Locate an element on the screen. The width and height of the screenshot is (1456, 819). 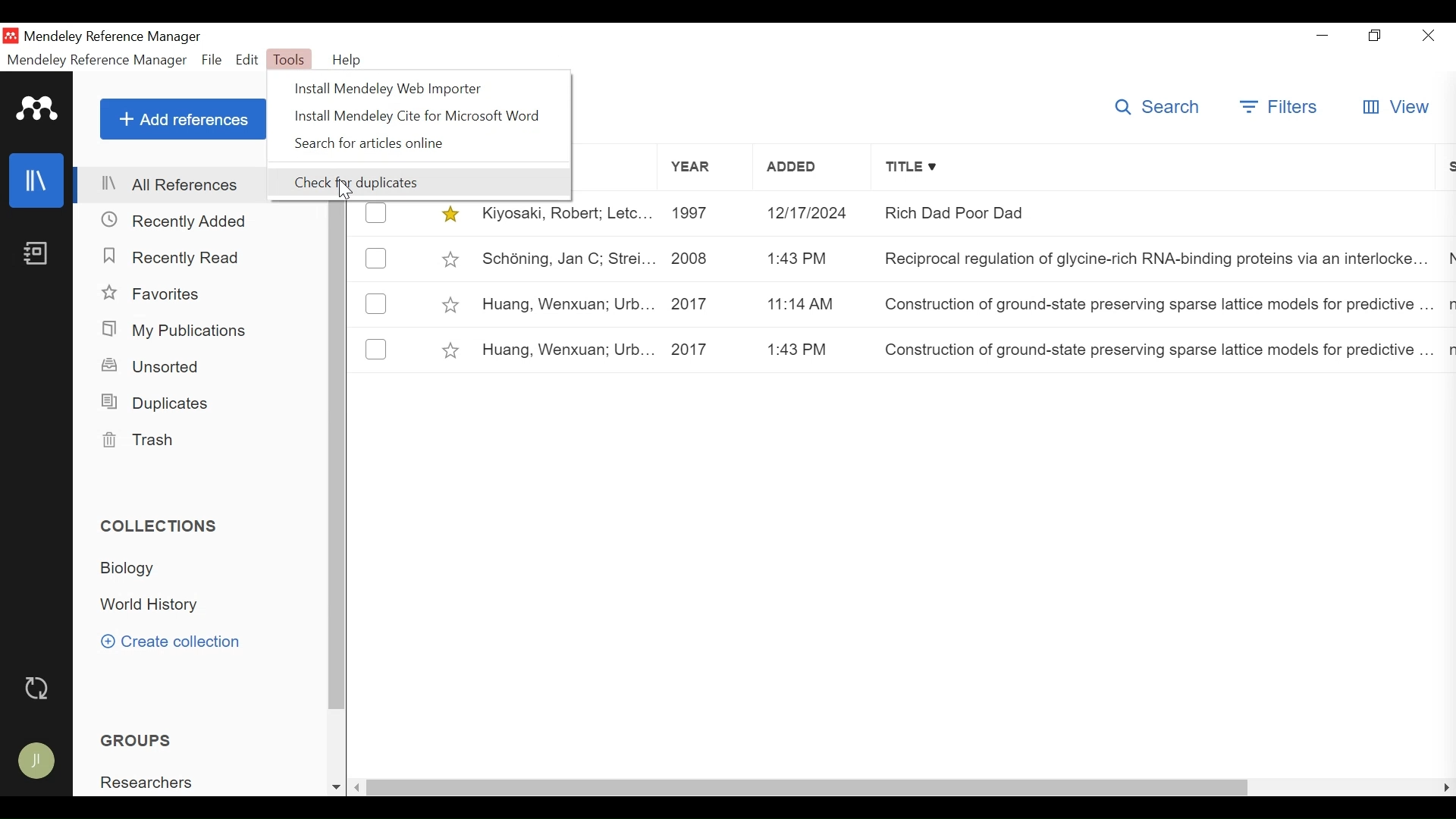
12/17/2014 is located at coordinates (807, 212).